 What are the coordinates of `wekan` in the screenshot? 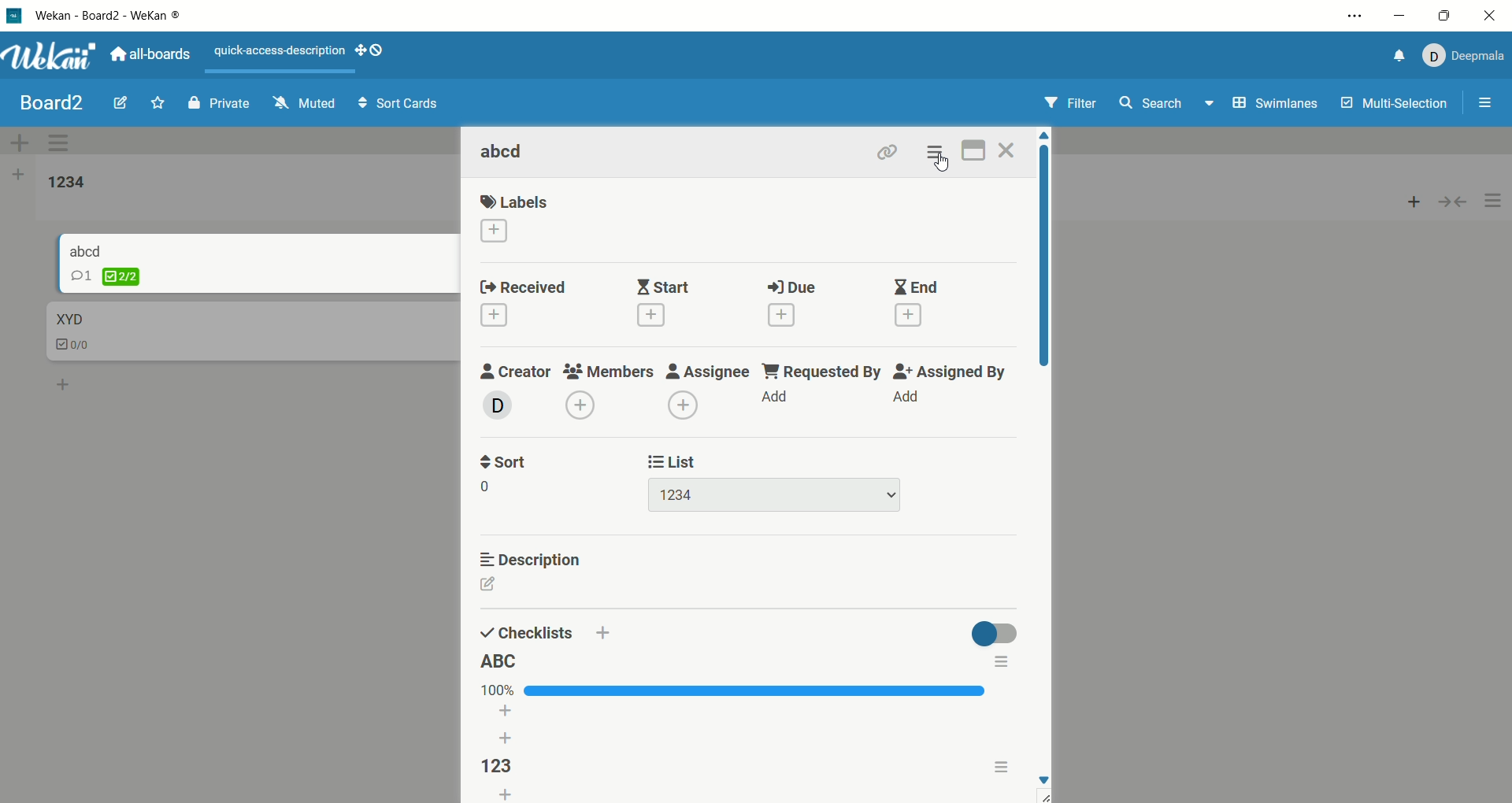 It's located at (53, 56).